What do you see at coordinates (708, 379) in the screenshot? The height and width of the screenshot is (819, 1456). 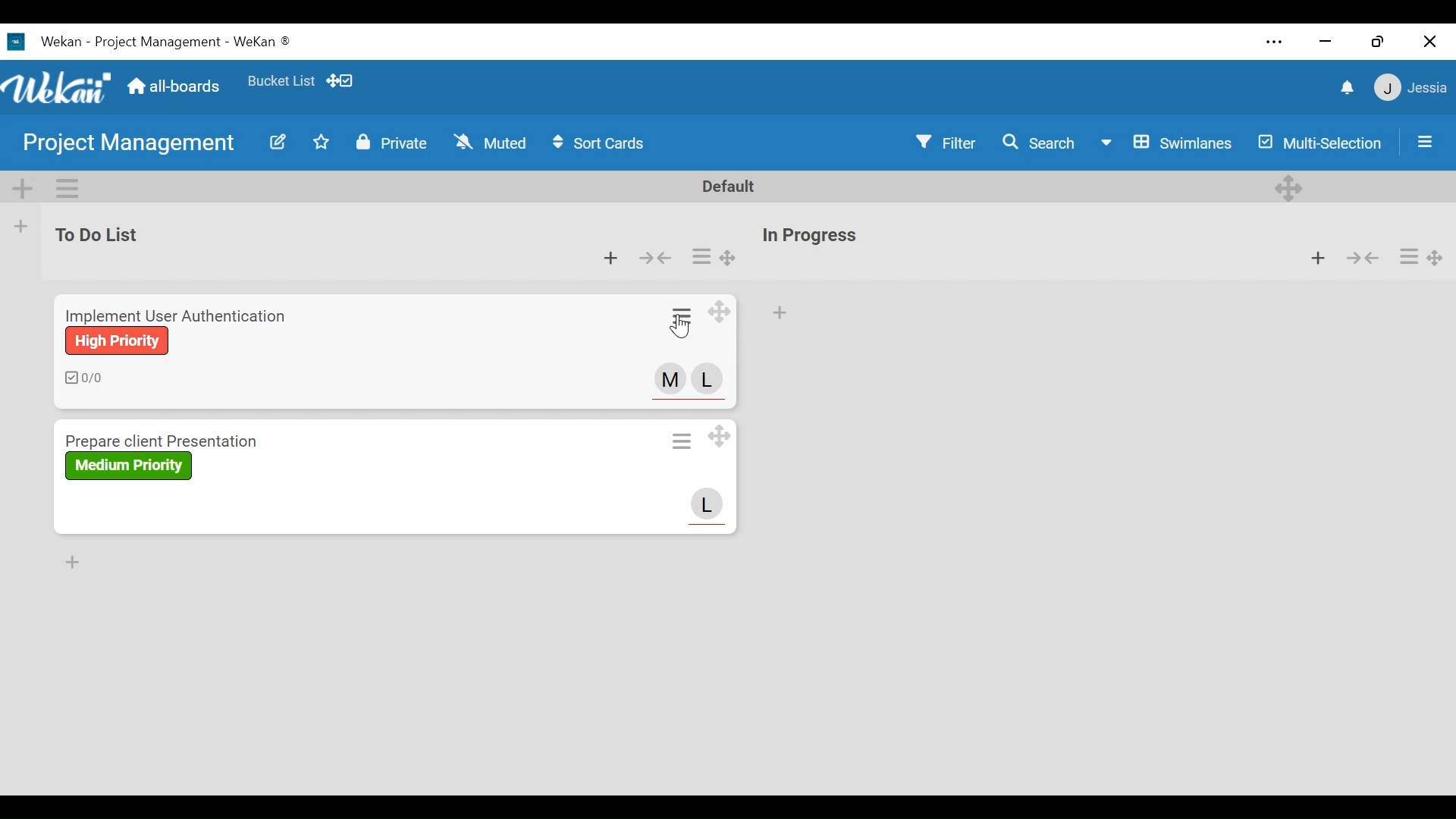 I see `Member` at bounding box center [708, 379].